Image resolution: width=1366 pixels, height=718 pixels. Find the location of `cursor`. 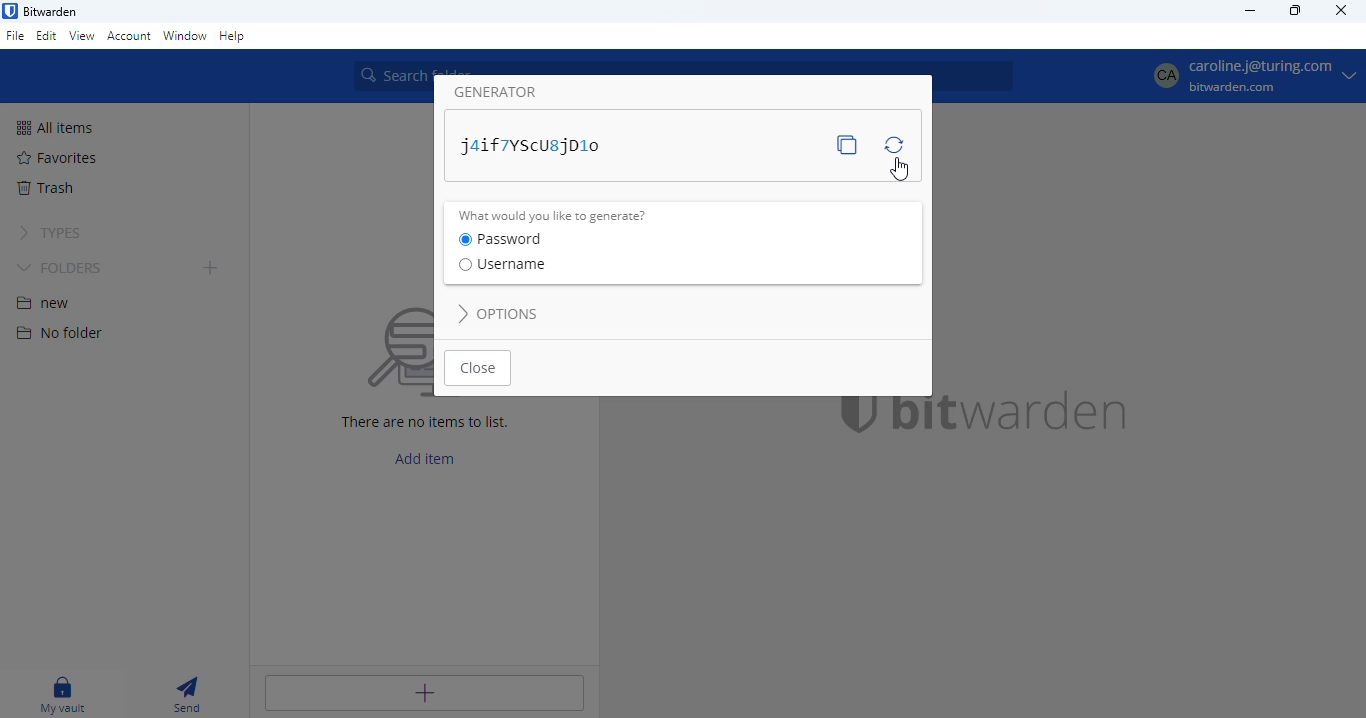

cursor is located at coordinates (900, 170).